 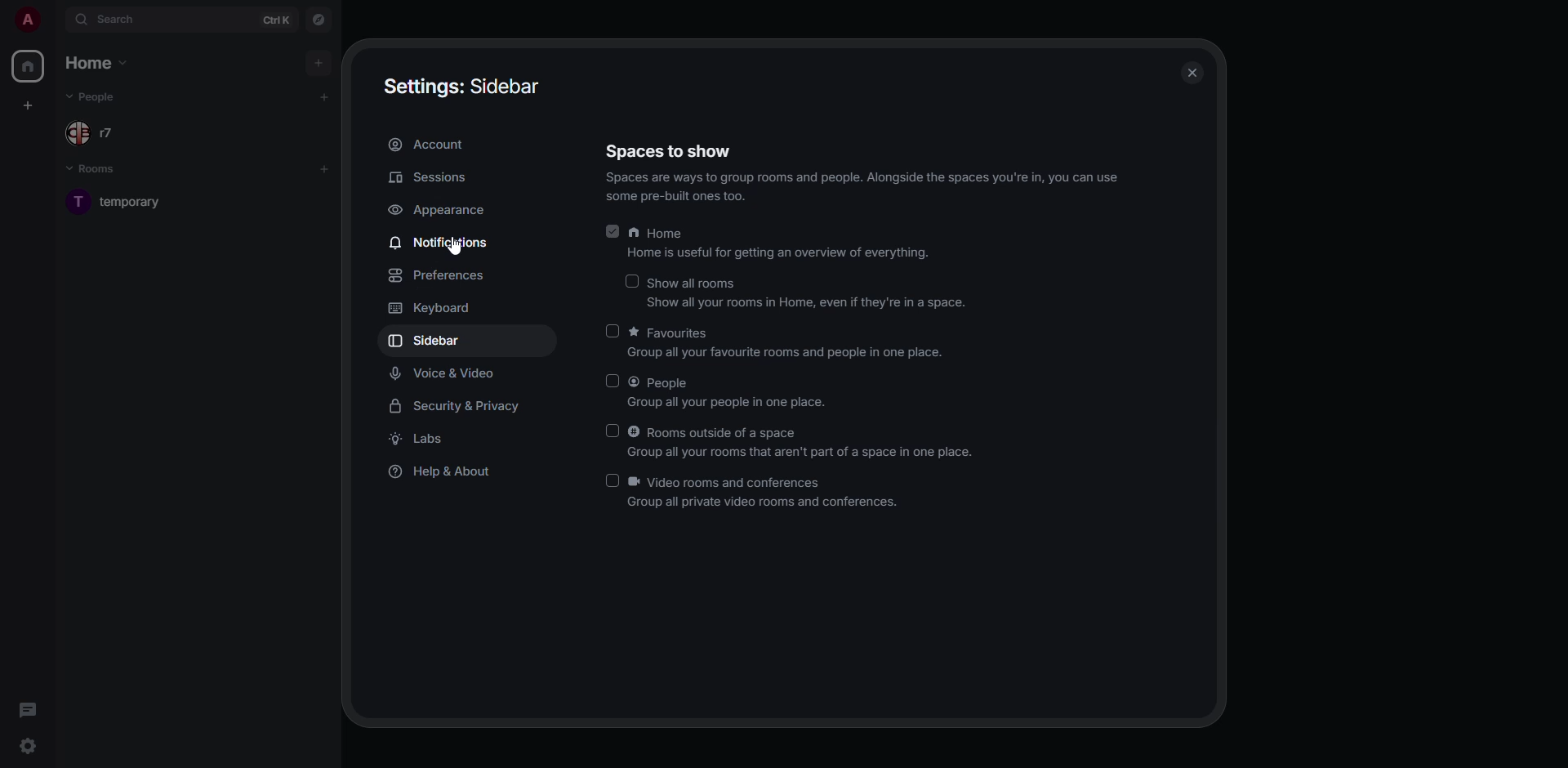 I want to click on ctrl K, so click(x=277, y=19).